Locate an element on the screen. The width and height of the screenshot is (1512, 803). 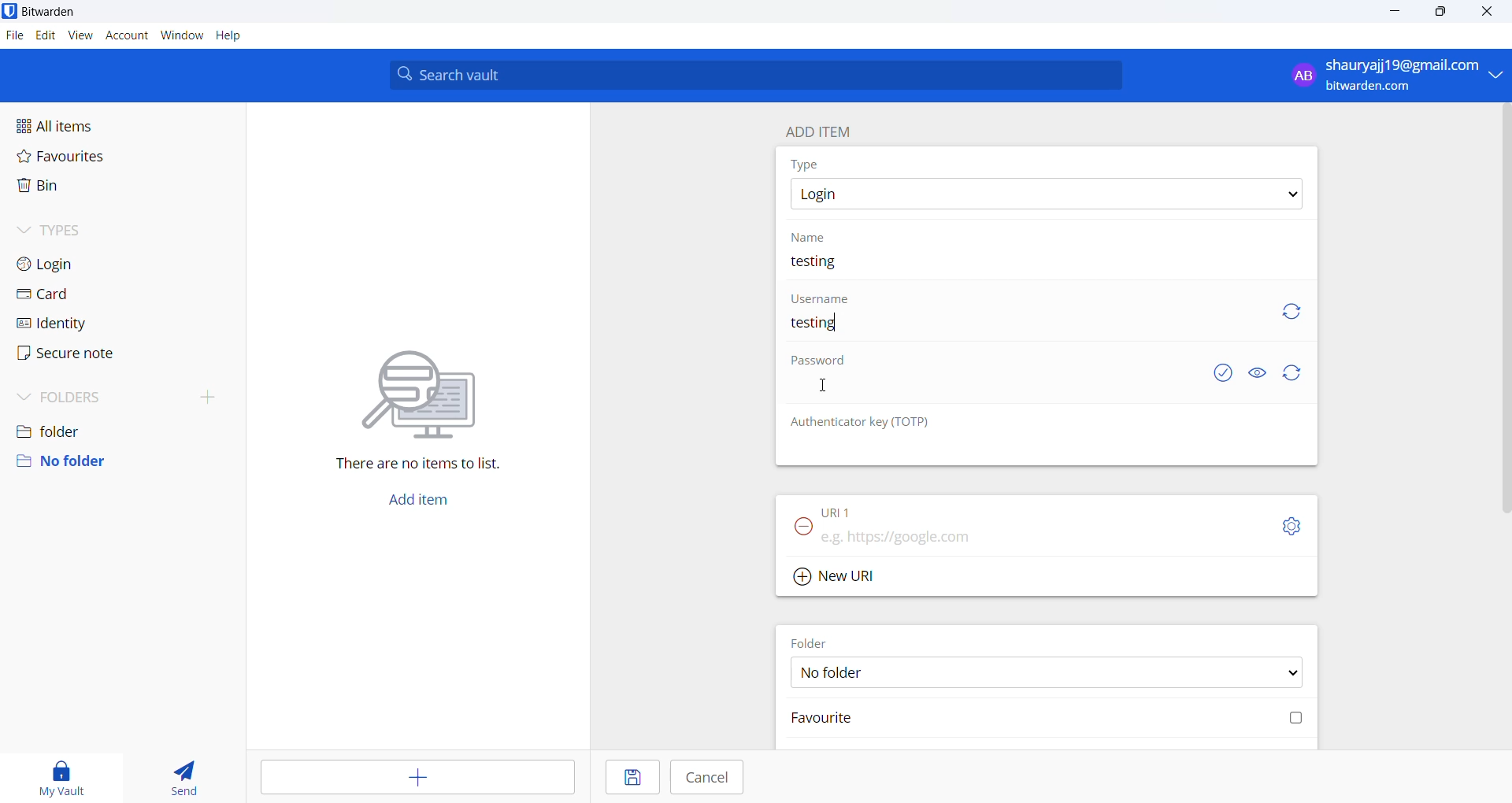
send is located at coordinates (186, 775).